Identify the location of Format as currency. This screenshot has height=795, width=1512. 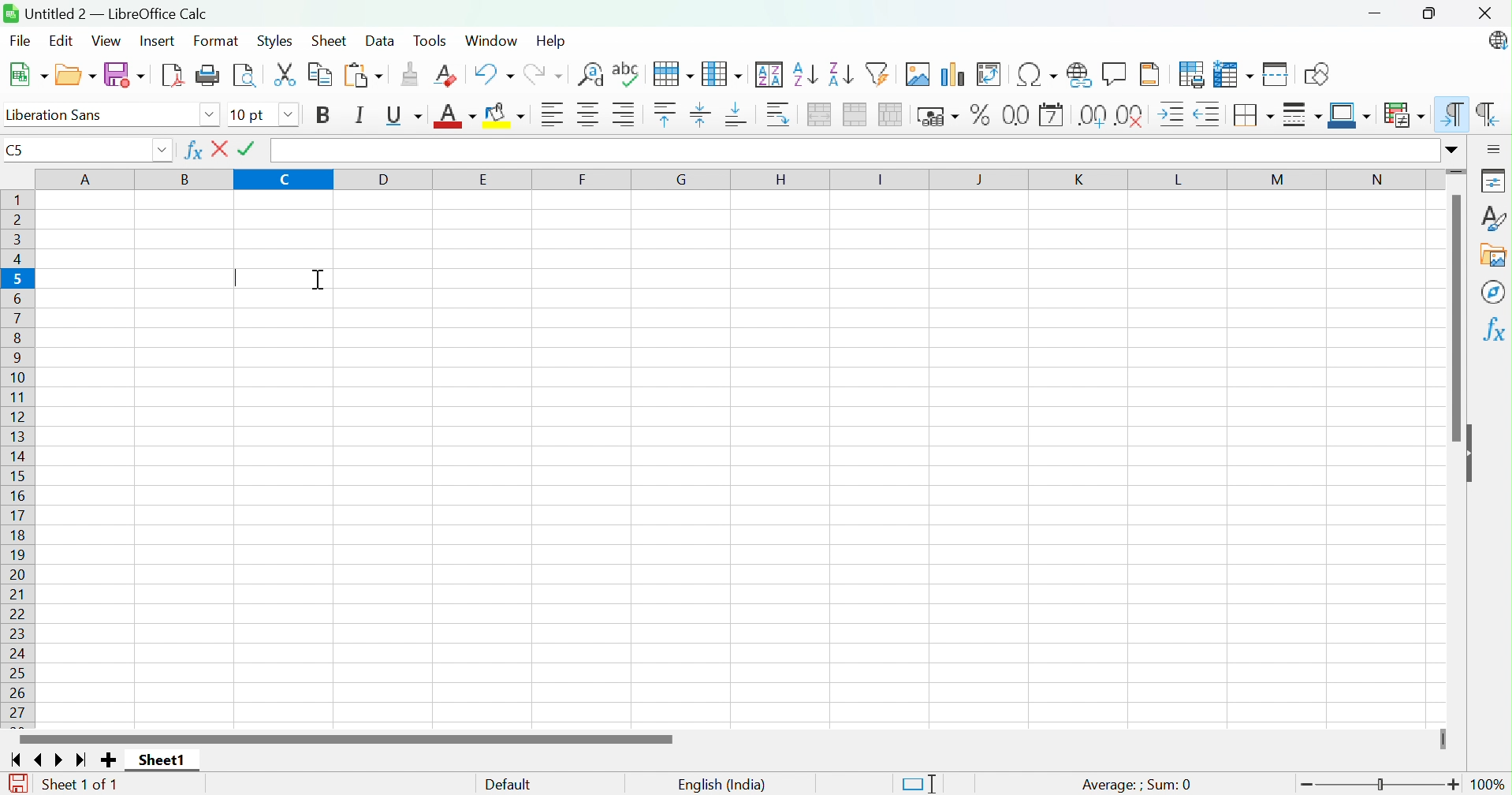
(940, 117).